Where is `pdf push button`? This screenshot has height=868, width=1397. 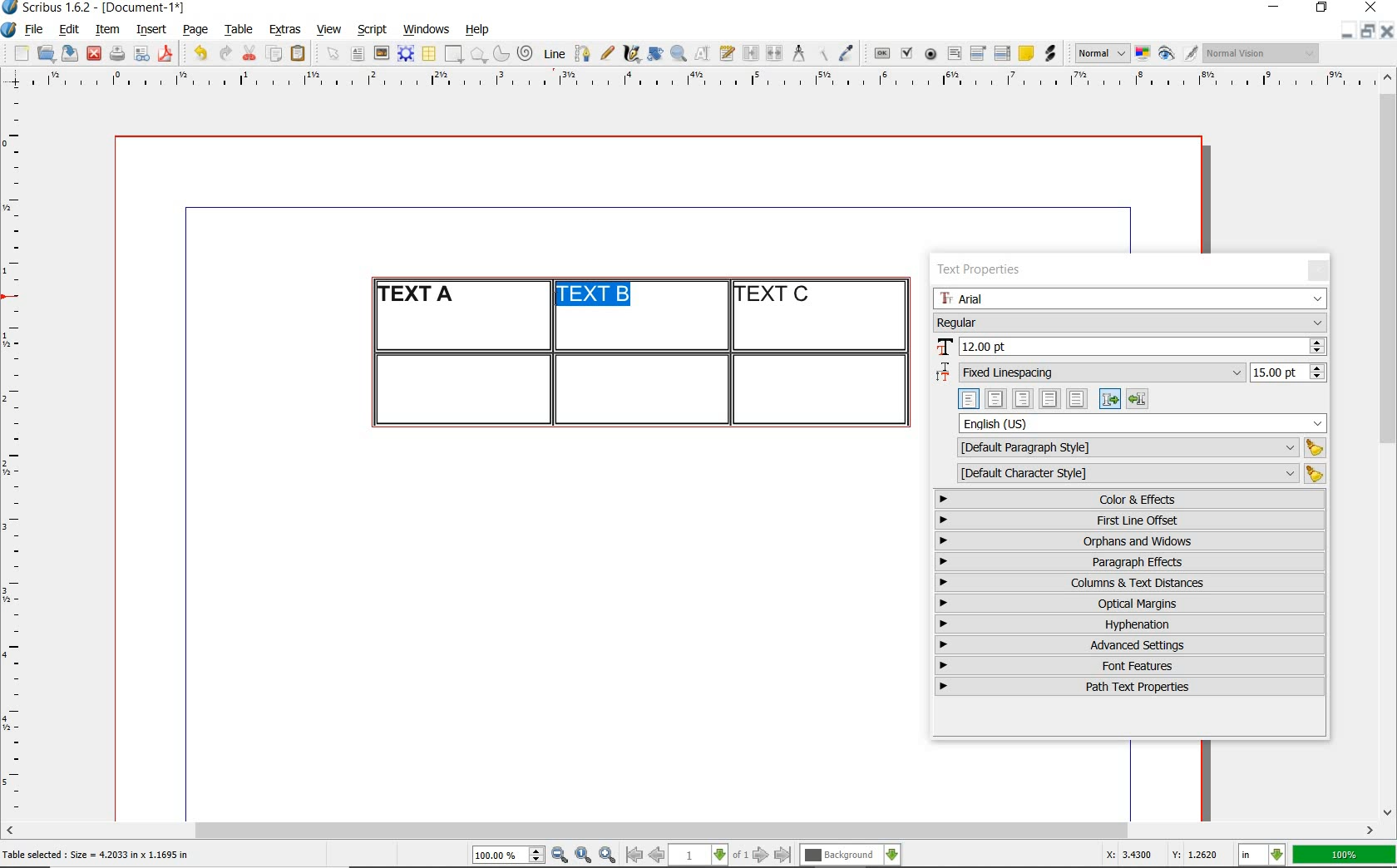 pdf push button is located at coordinates (882, 54).